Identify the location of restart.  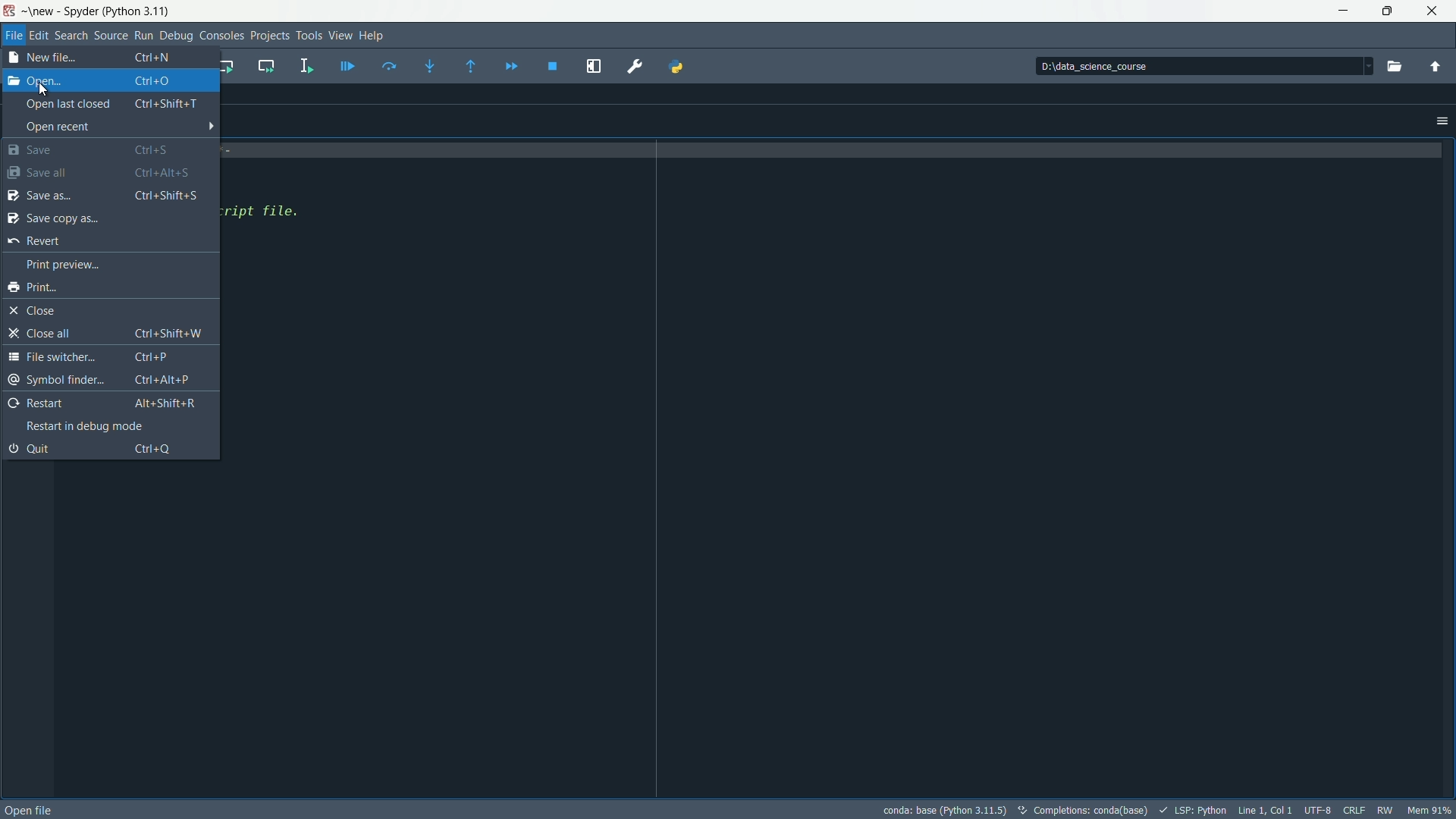
(105, 402).